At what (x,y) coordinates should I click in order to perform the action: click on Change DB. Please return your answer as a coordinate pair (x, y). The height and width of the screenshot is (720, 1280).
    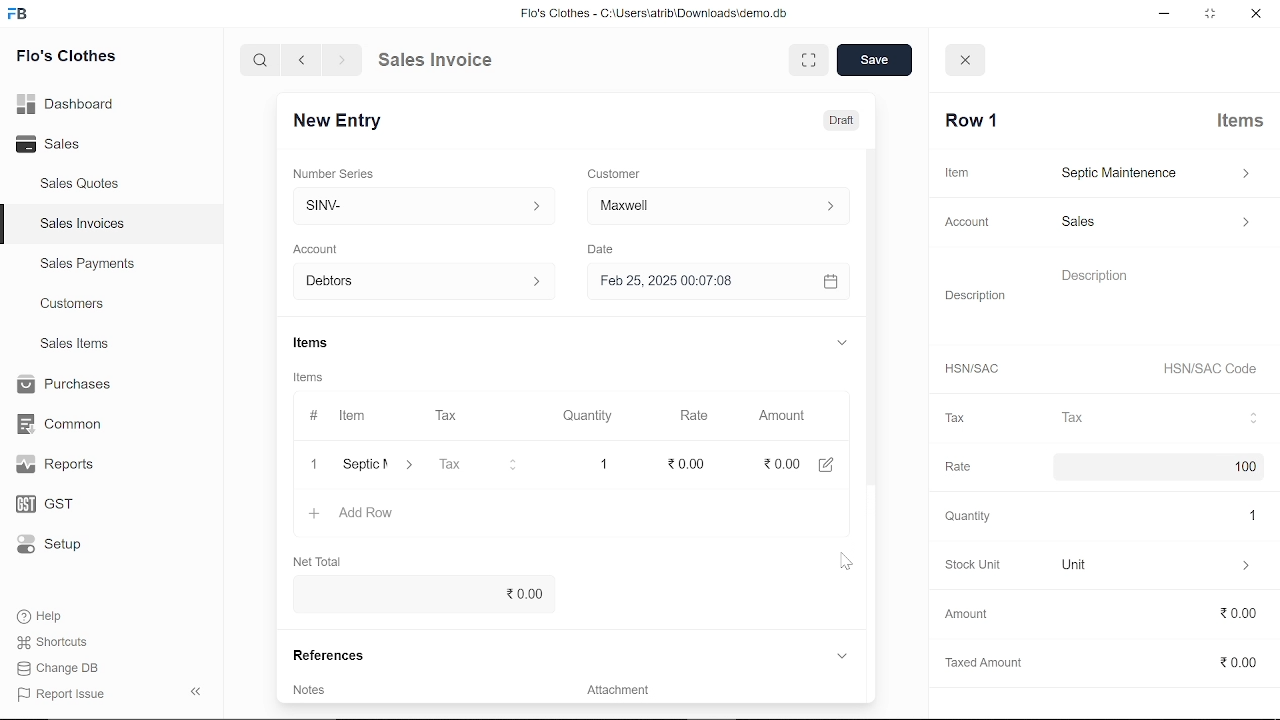
    Looking at the image, I should click on (60, 667).